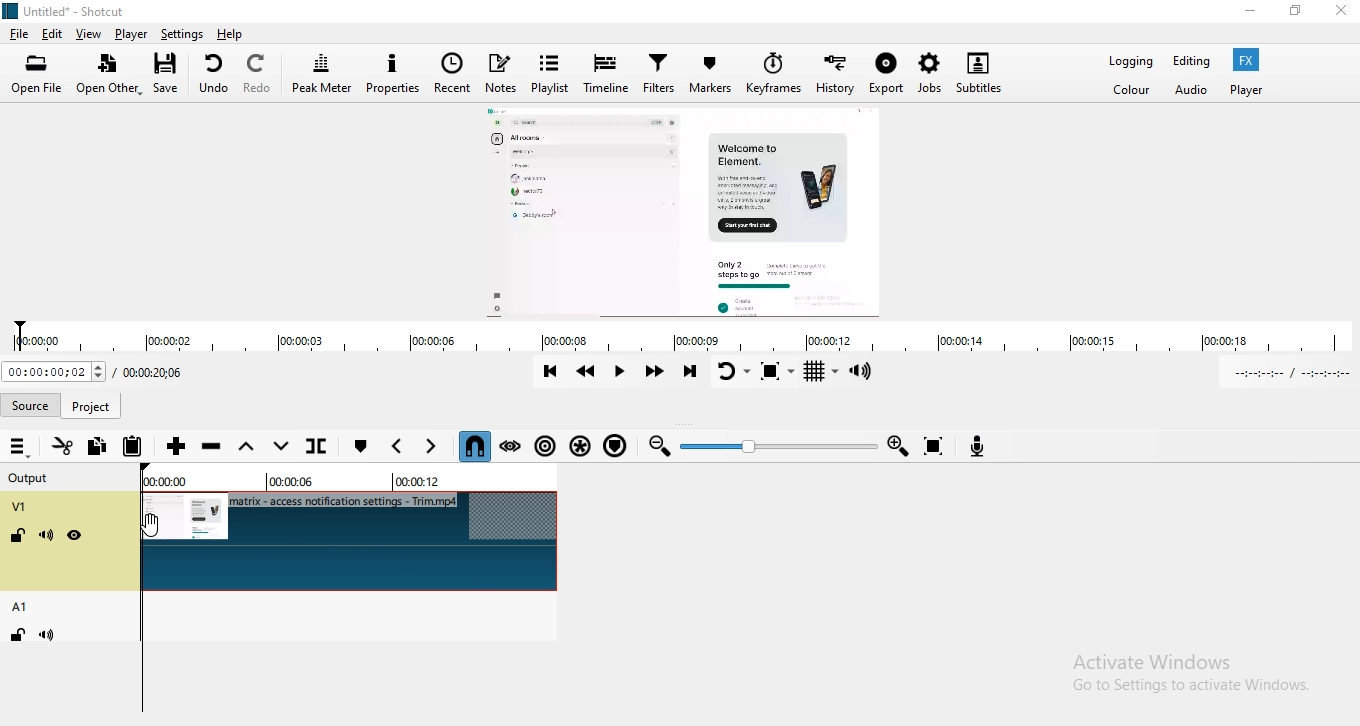 The width and height of the screenshot is (1360, 726). I want to click on Audio, so click(1194, 91).